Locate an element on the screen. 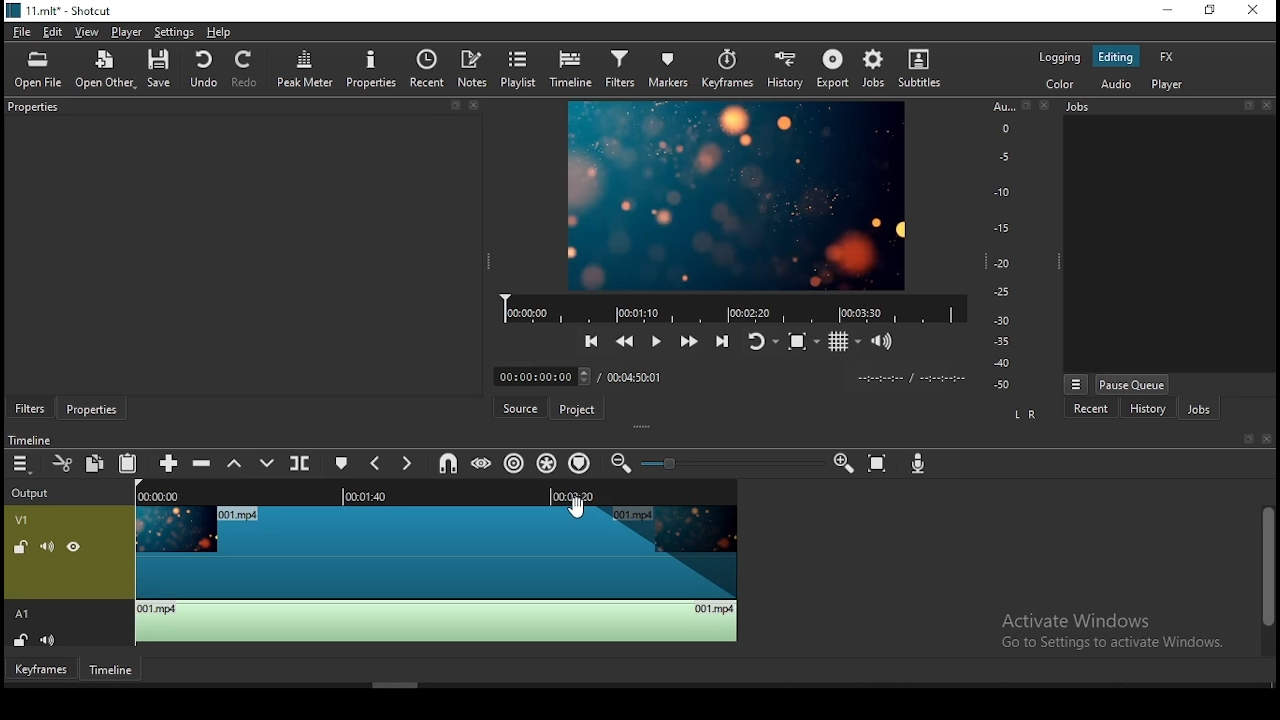 This screenshot has height=720, width=1280. source is located at coordinates (519, 409).